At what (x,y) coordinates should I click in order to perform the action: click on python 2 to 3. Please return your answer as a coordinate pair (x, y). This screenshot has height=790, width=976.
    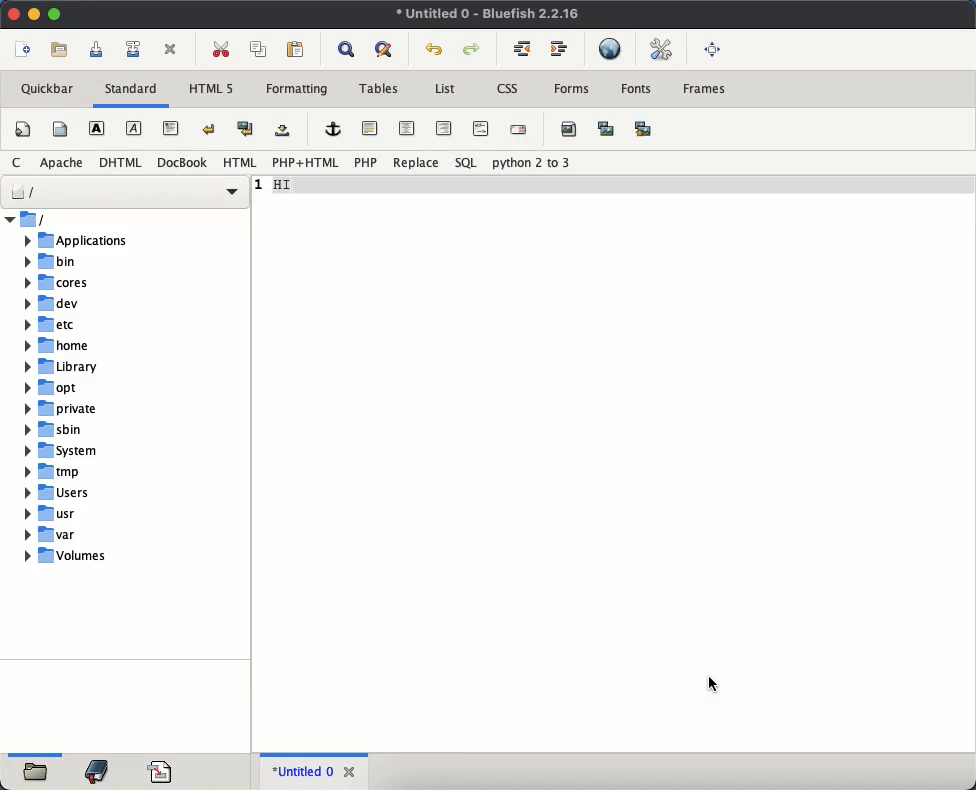
    Looking at the image, I should click on (528, 163).